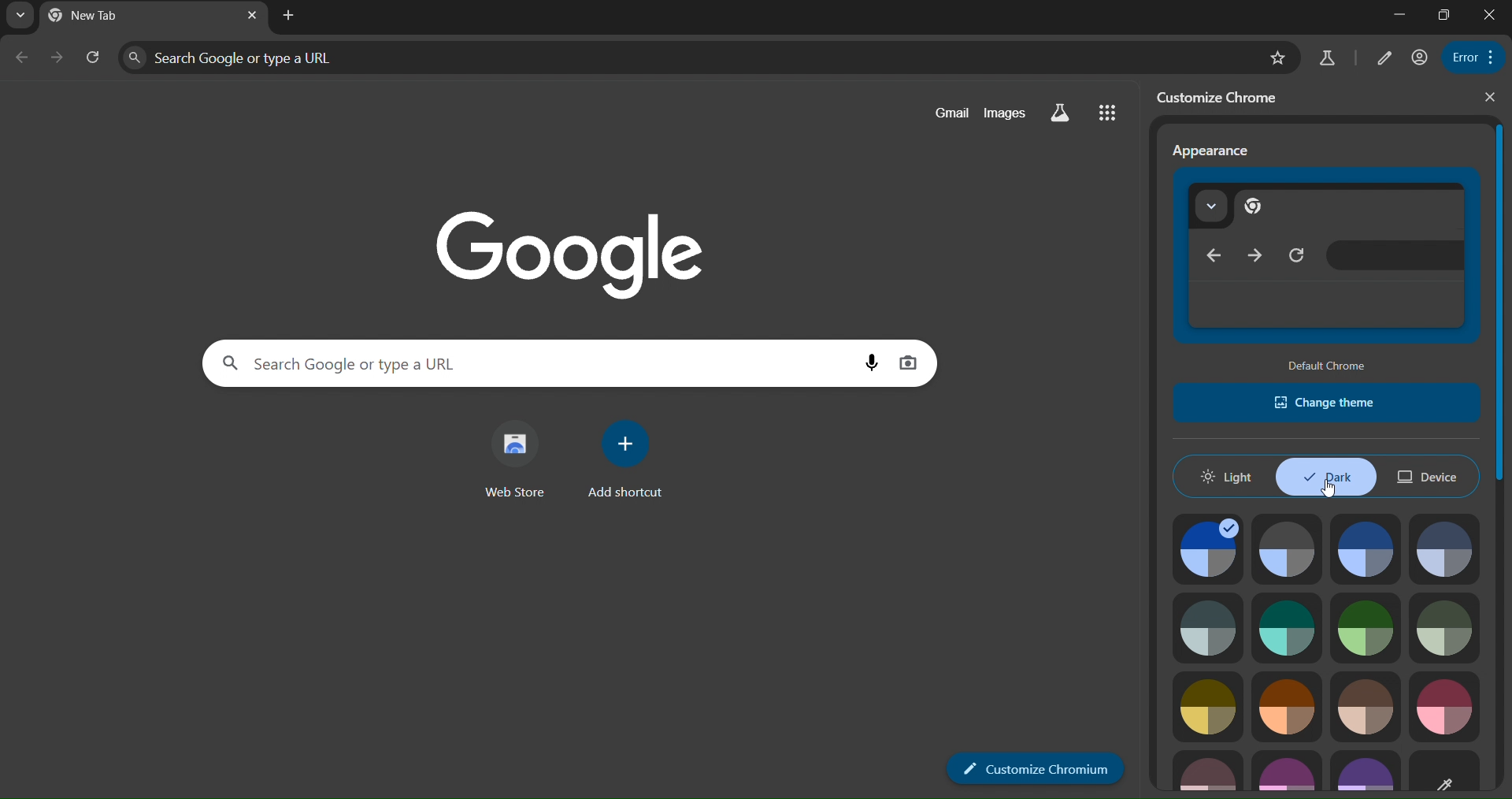 This screenshot has width=1512, height=799. Describe the element at coordinates (1280, 59) in the screenshot. I see `bookmark page` at that location.